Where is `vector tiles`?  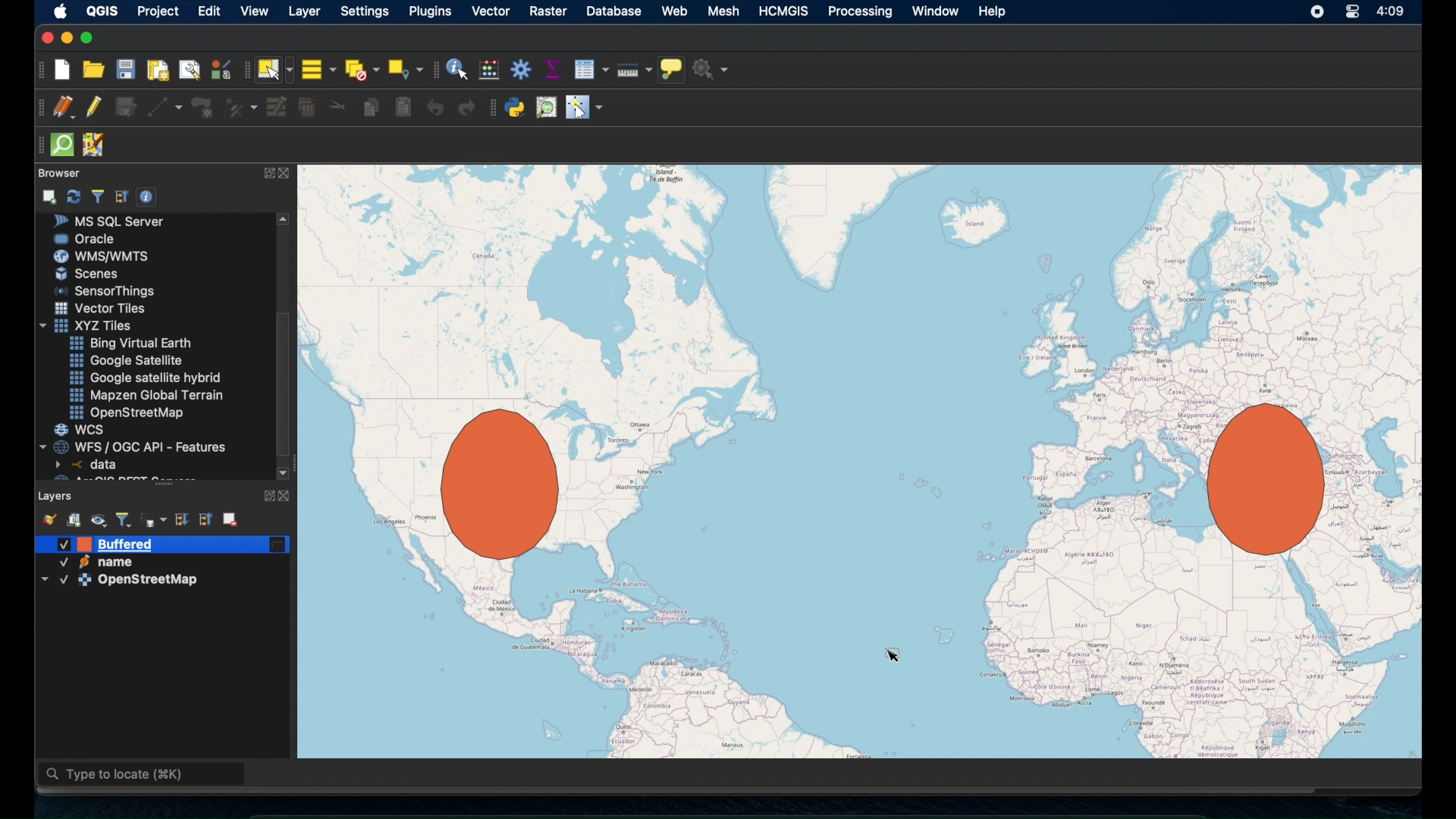
vector tiles is located at coordinates (101, 308).